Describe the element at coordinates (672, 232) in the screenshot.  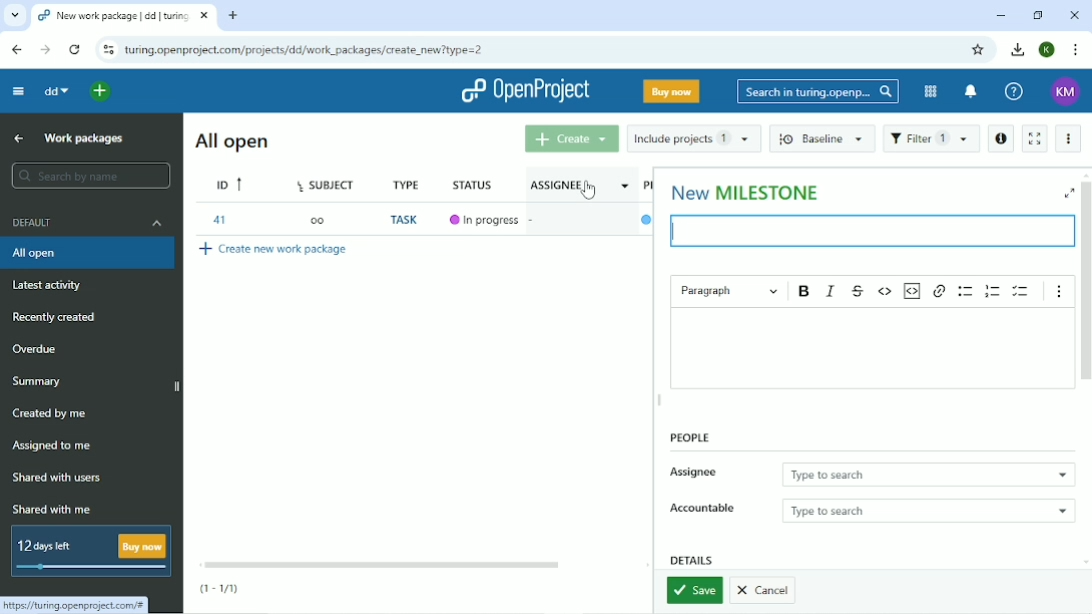
I see `typing cursor` at that location.